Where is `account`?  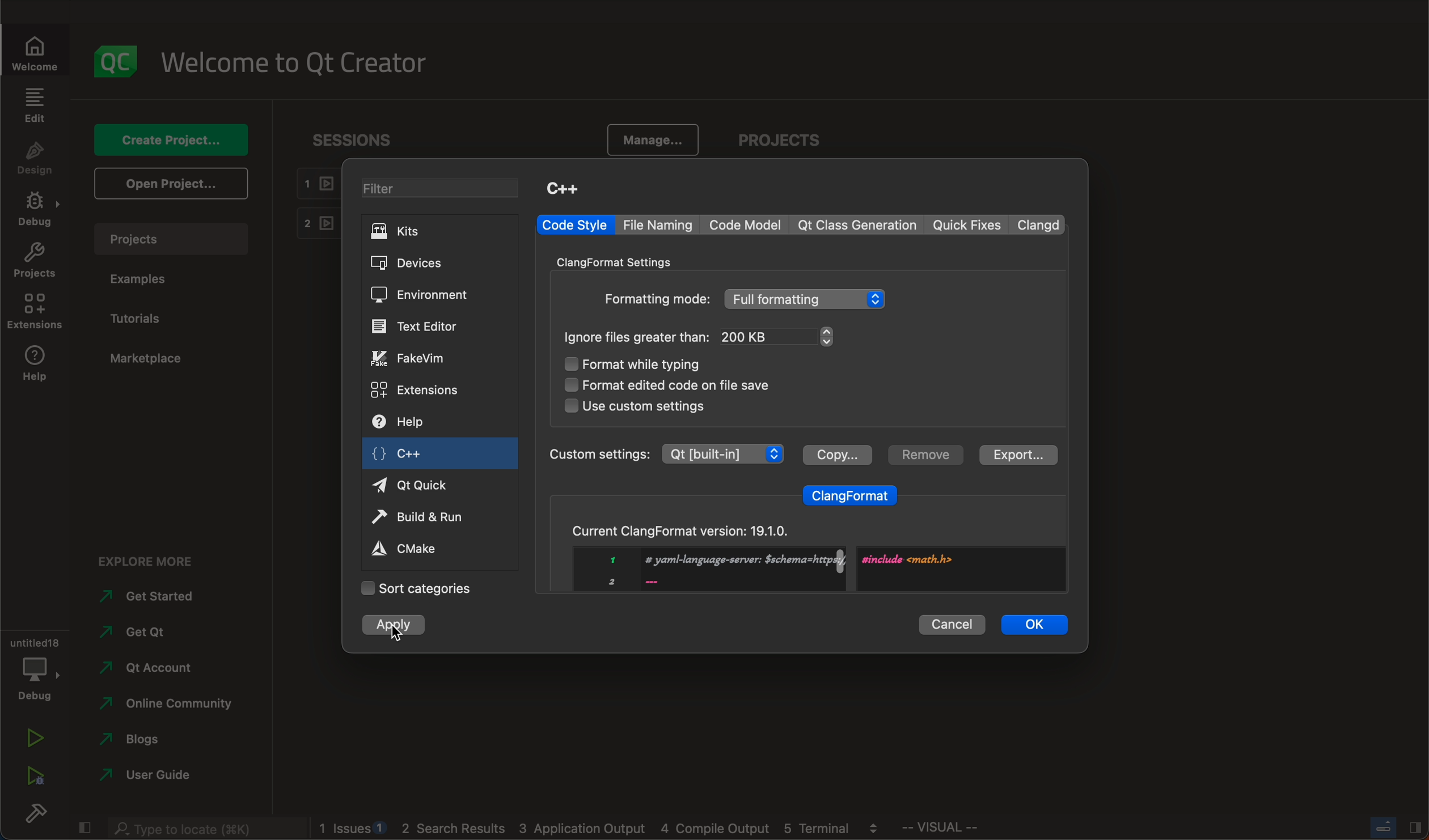
account is located at coordinates (147, 668).